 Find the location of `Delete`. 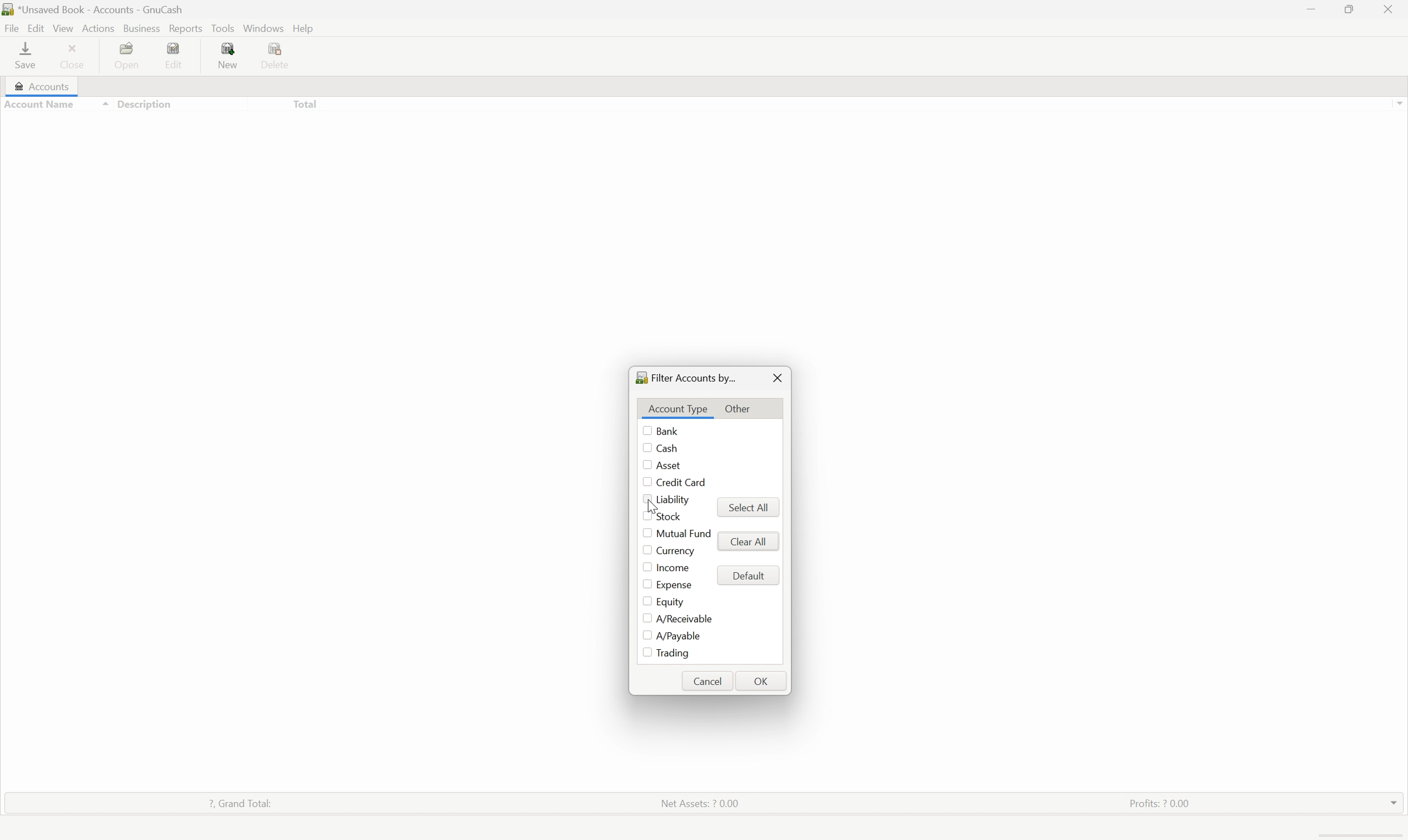

Delete is located at coordinates (278, 57).